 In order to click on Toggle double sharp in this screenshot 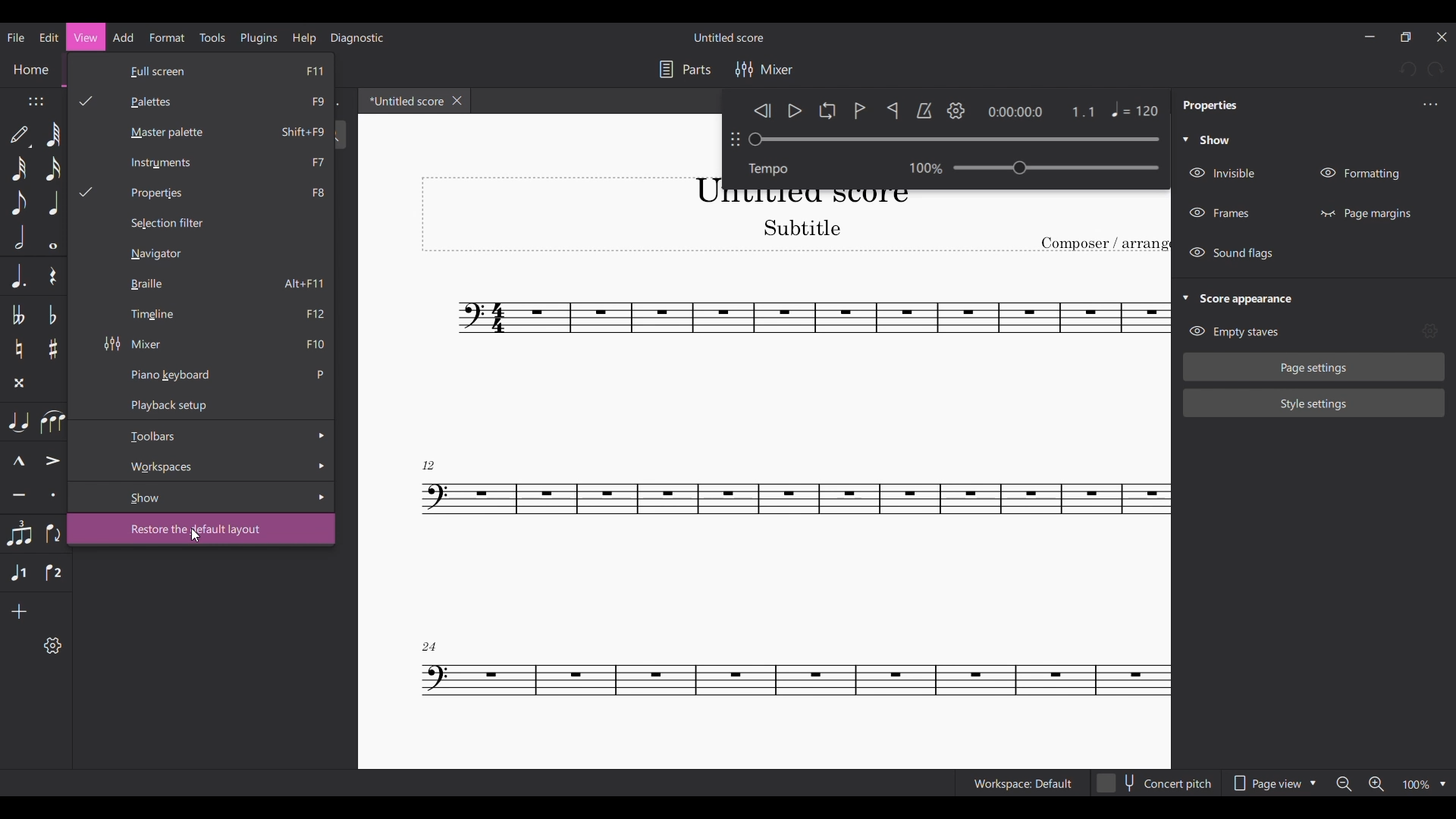, I will do `click(19, 383)`.